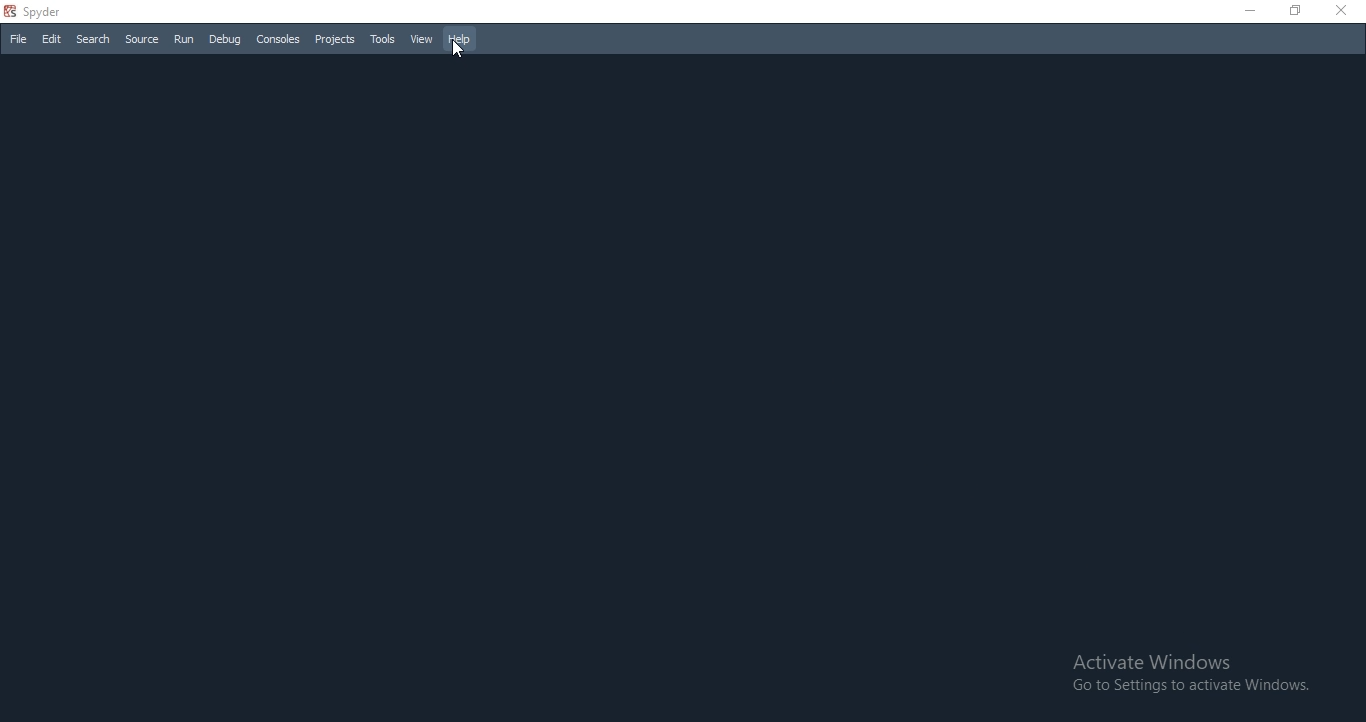 This screenshot has height=722, width=1366. I want to click on File , so click(17, 40).